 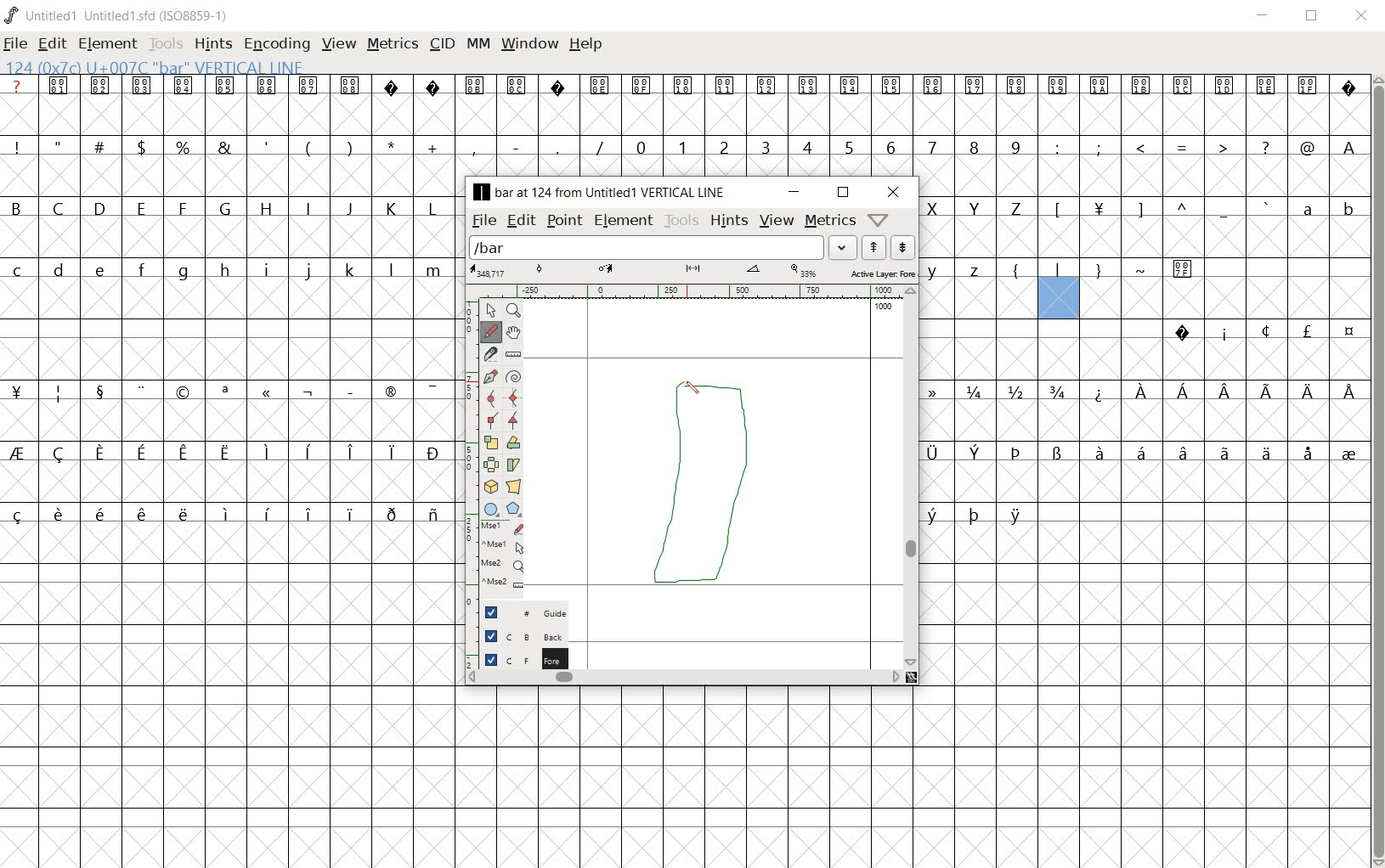 I want to click on letters and symbols, so click(x=227, y=207).